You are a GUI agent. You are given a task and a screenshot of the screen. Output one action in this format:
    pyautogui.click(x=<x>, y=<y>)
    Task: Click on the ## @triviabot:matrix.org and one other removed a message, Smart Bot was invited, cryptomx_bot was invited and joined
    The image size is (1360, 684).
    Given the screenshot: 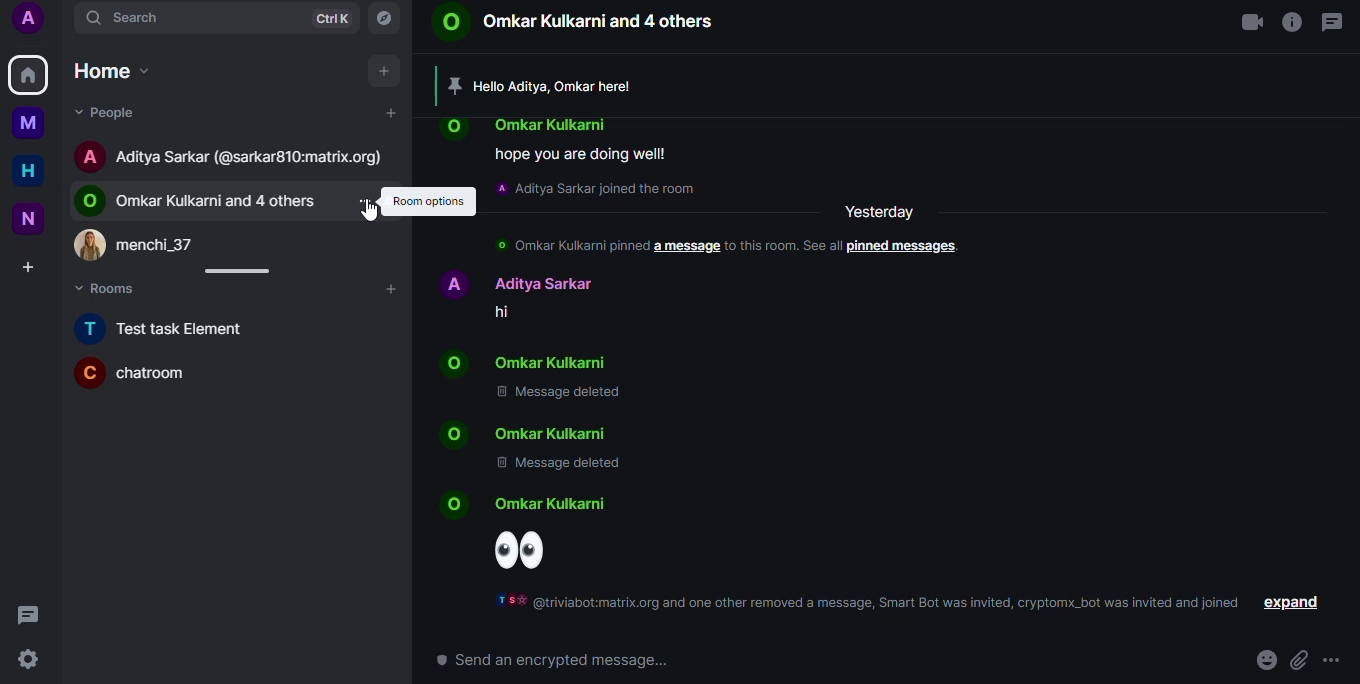 What is the action you would take?
    pyautogui.click(x=868, y=603)
    